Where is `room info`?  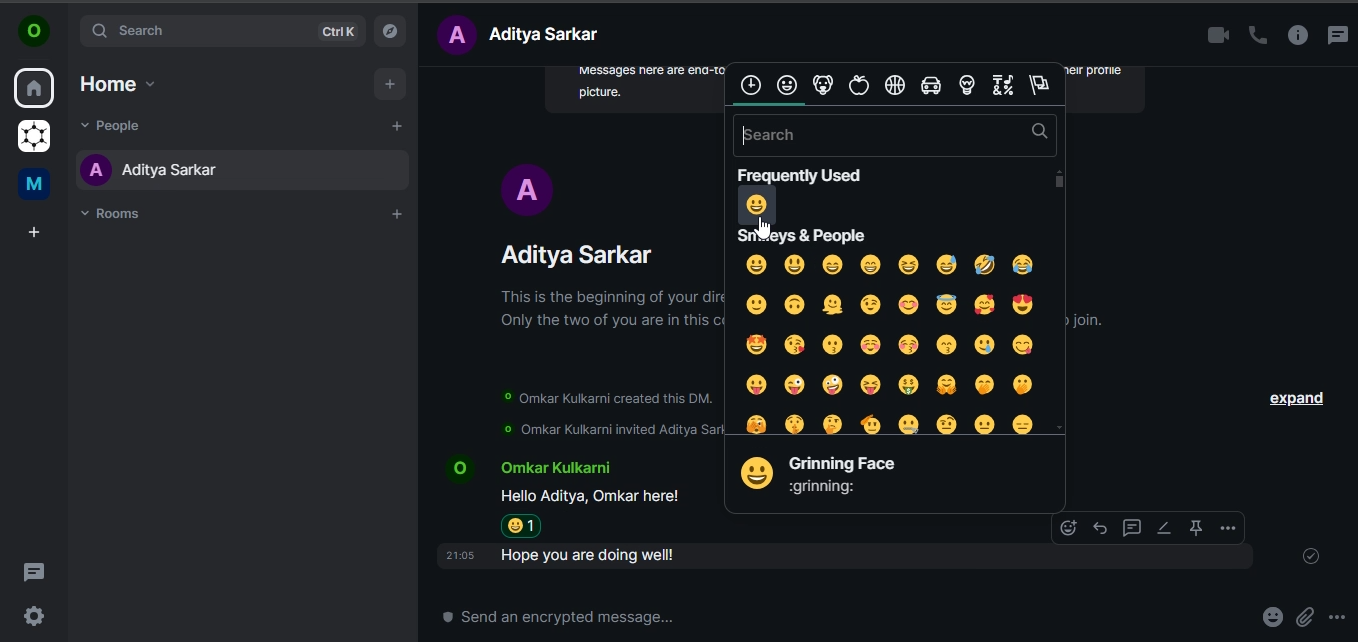 room info is located at coordinates (1296, 36).